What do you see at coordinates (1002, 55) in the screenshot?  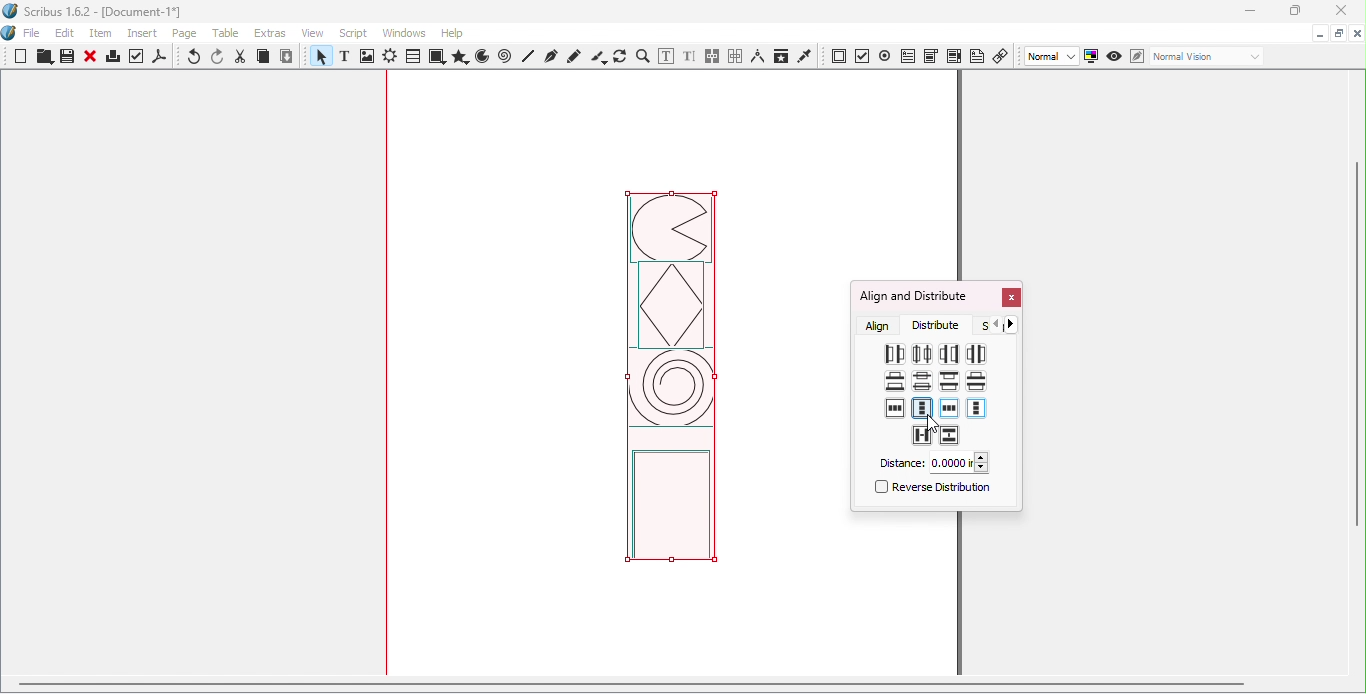 I see `Link annotation` at bounding box center [1002, 55].